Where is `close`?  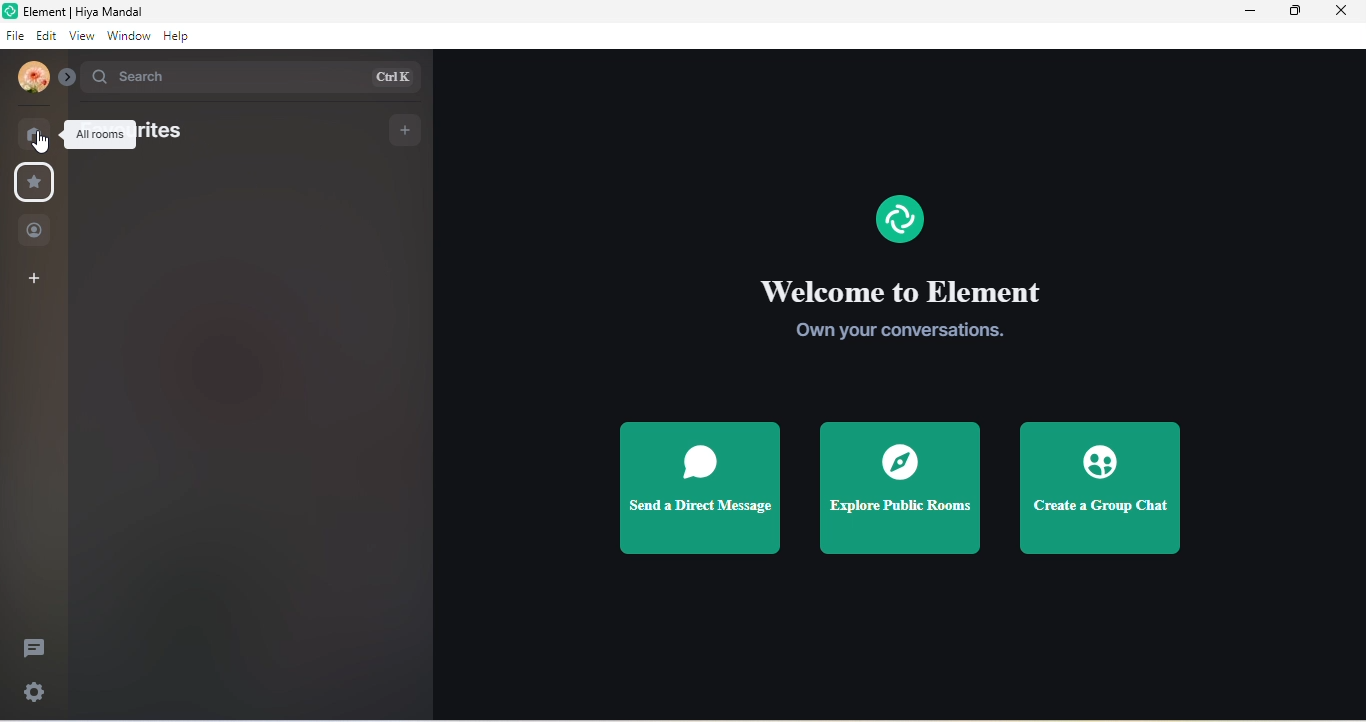
close is located at coordinates (1340, 10).